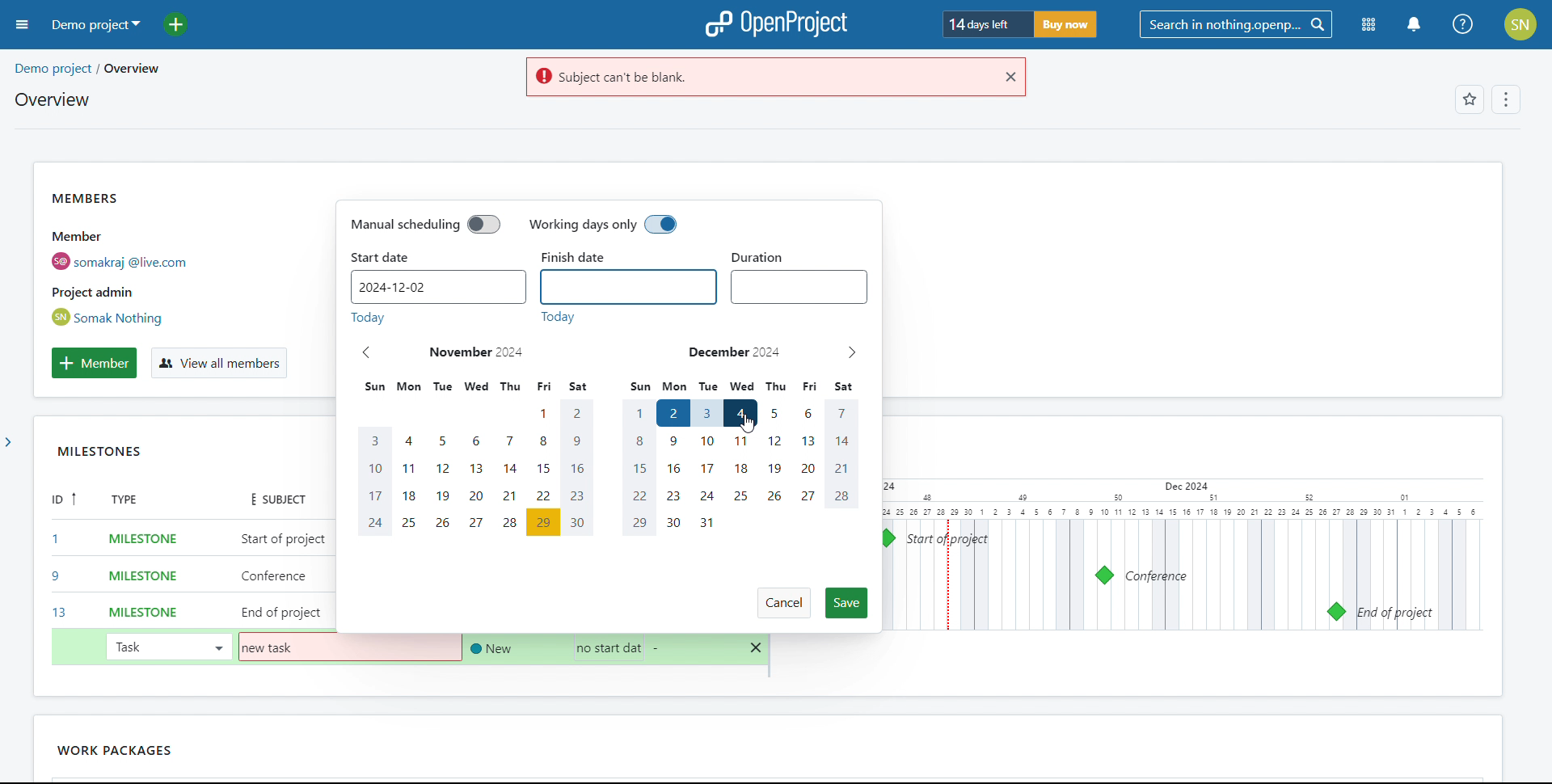  Describe the element at coordinates (285, 576) in the screenshot. I see `add subject` at that location.